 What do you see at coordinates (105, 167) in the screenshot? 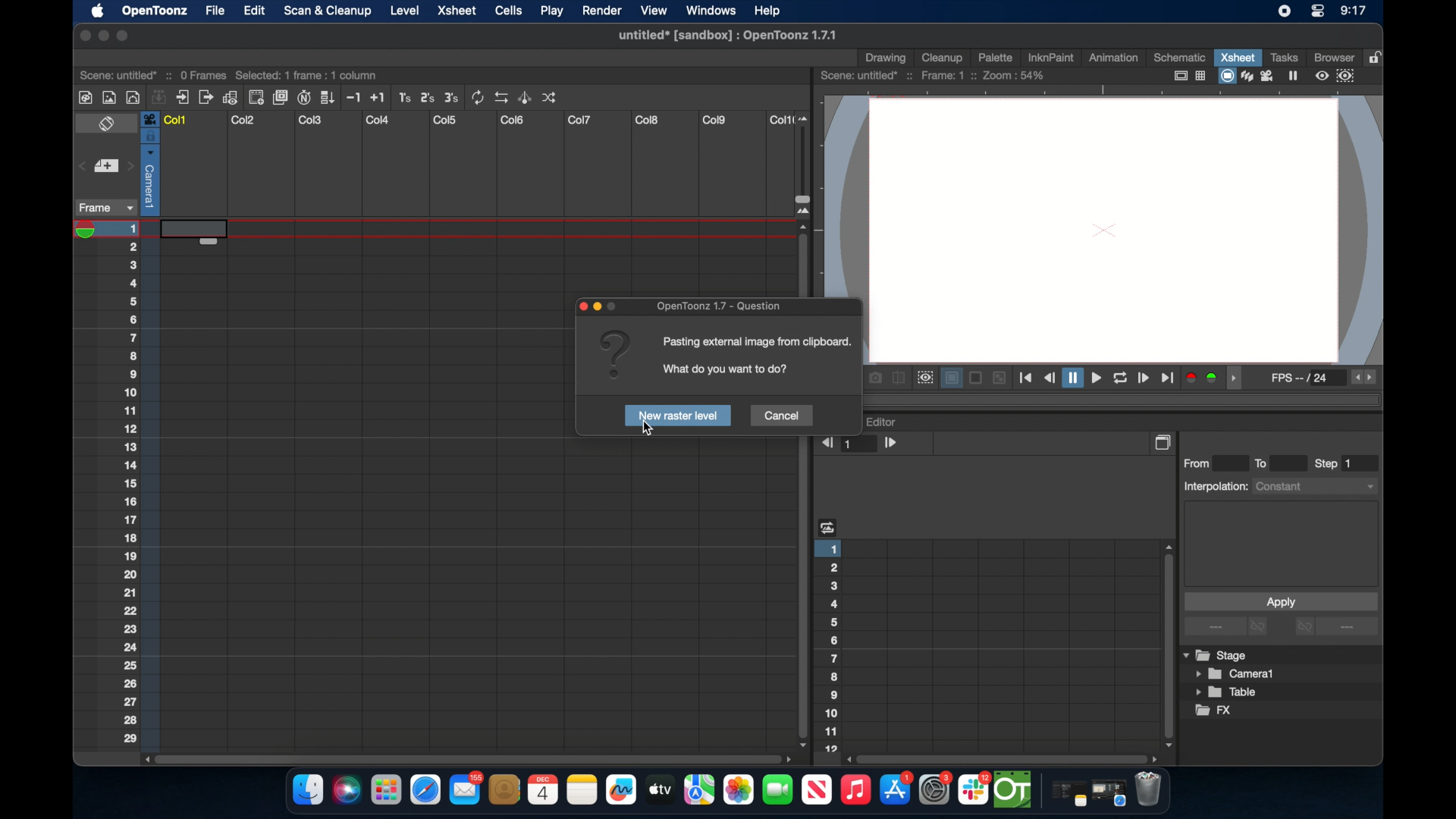
I see `set` at bounding box center [105, 167].